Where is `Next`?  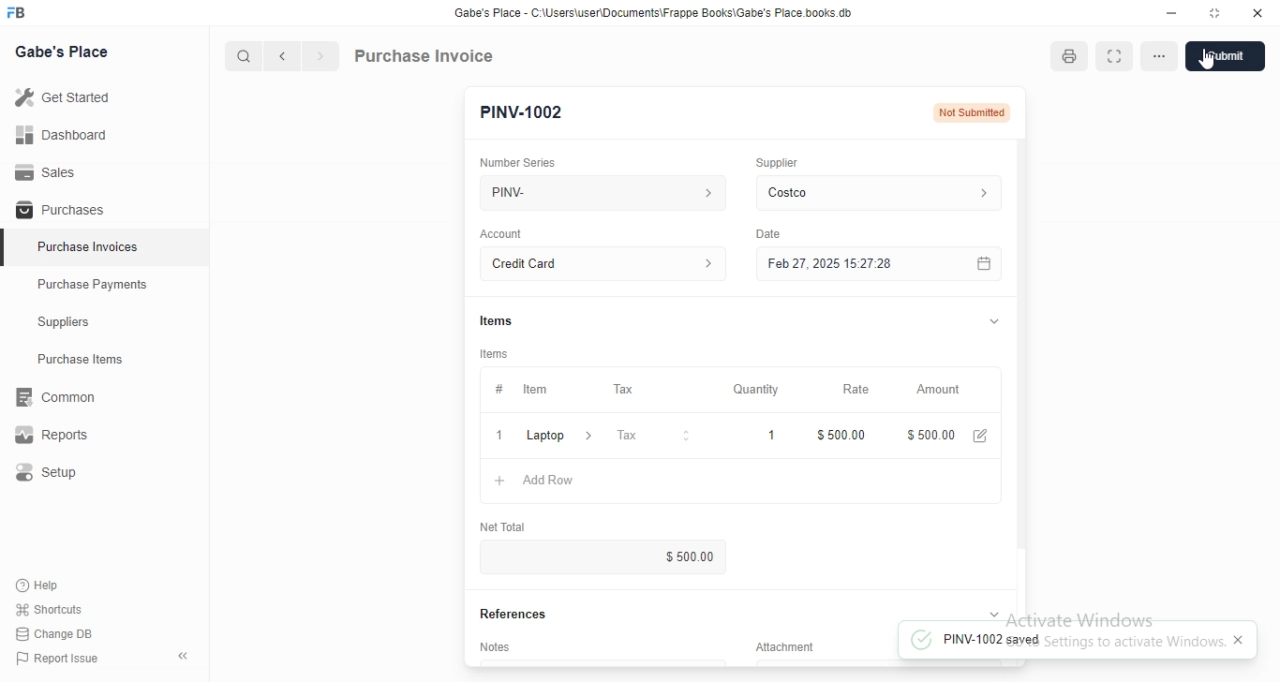 Next is located at coordinates (322, 56).